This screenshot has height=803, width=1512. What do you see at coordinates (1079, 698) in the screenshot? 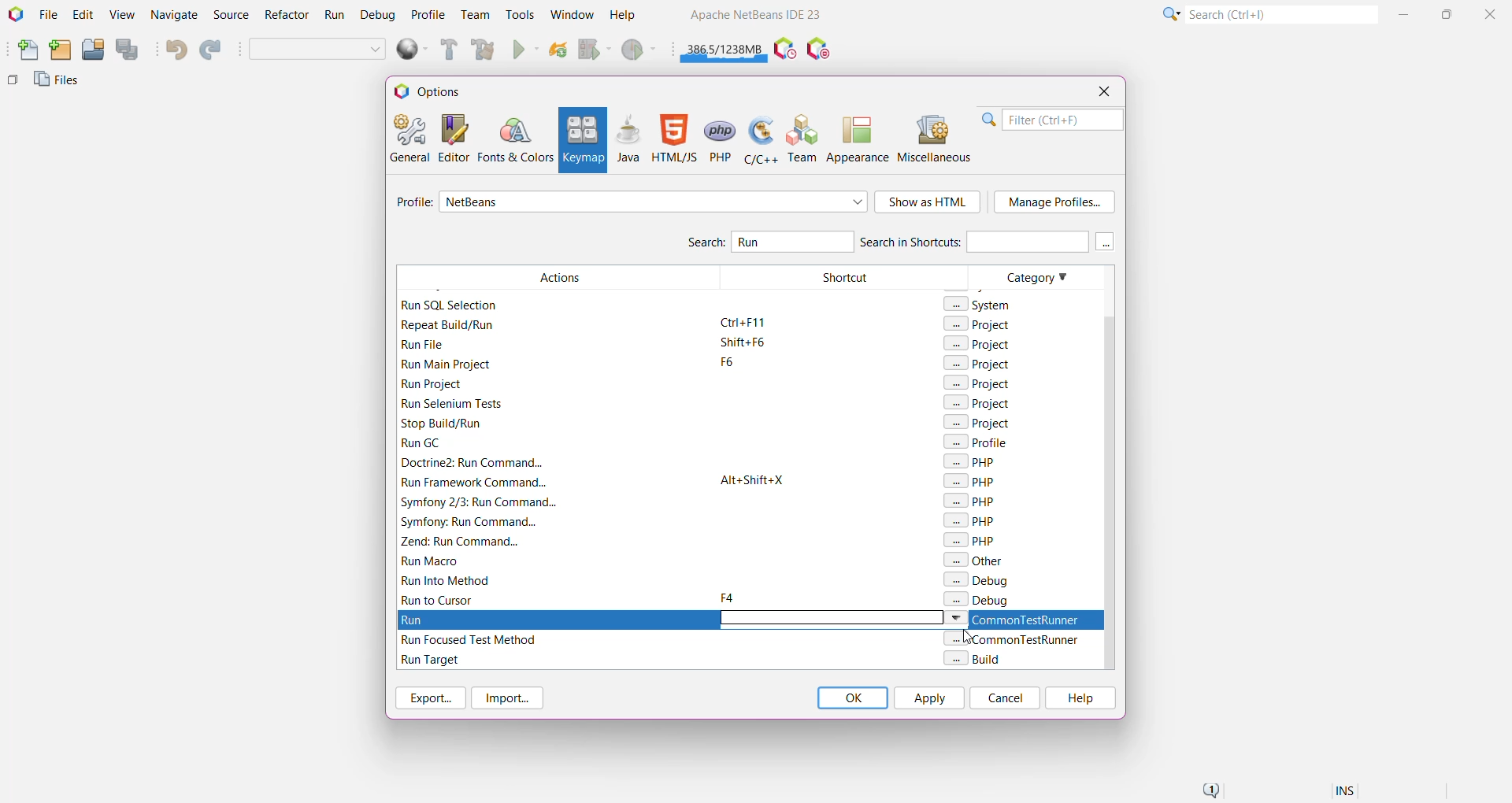
I see `Help` at bounding box center [1079, 698].